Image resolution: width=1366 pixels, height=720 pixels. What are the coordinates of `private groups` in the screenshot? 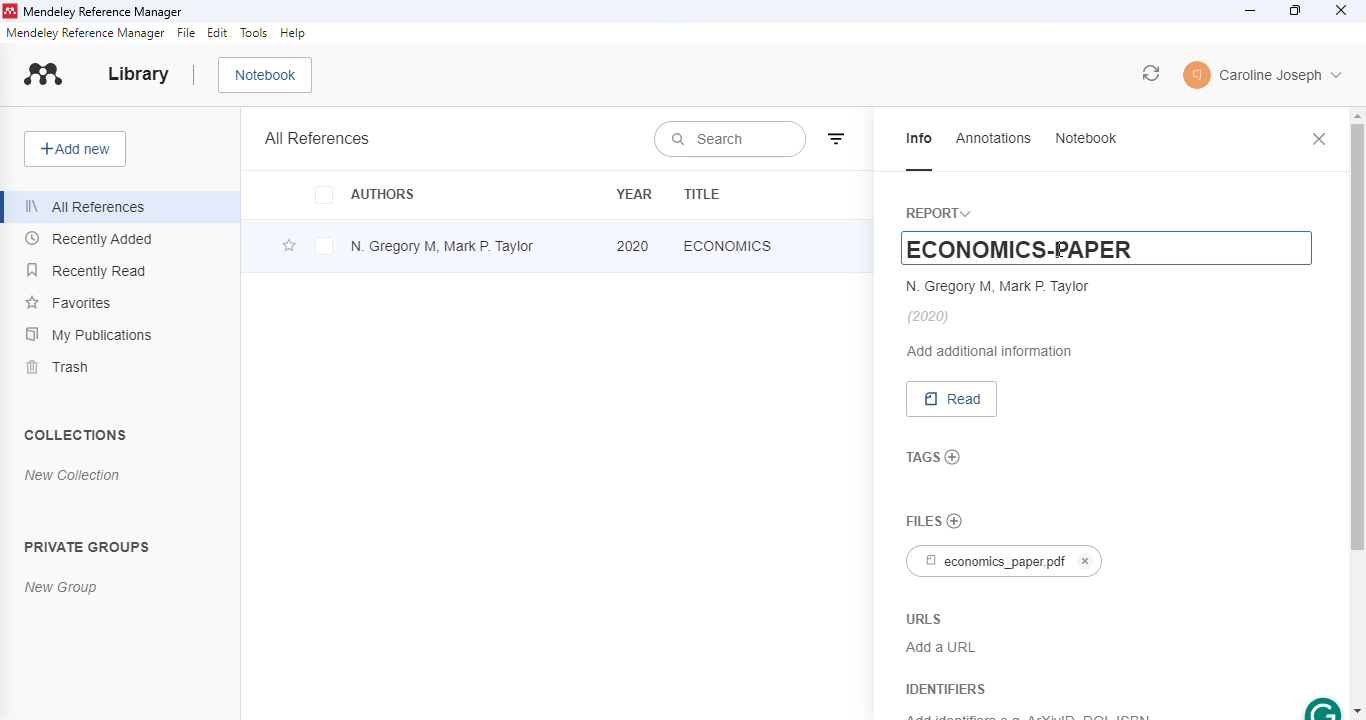 It's located at (88, 547).